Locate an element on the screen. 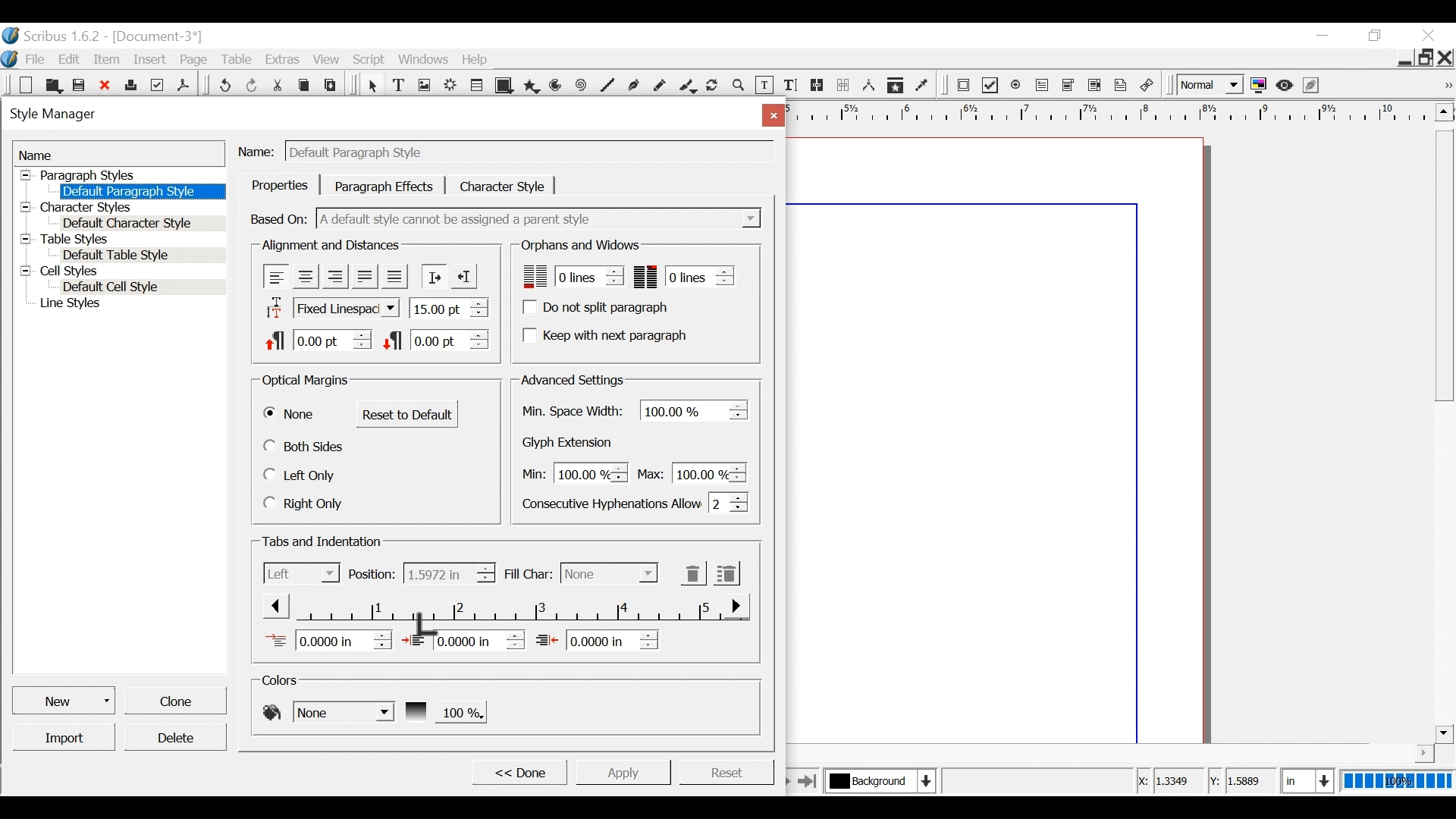 Image resolution: width=1456 pixels, height=819 pixels. Colors is located at coordinates (284, 680).